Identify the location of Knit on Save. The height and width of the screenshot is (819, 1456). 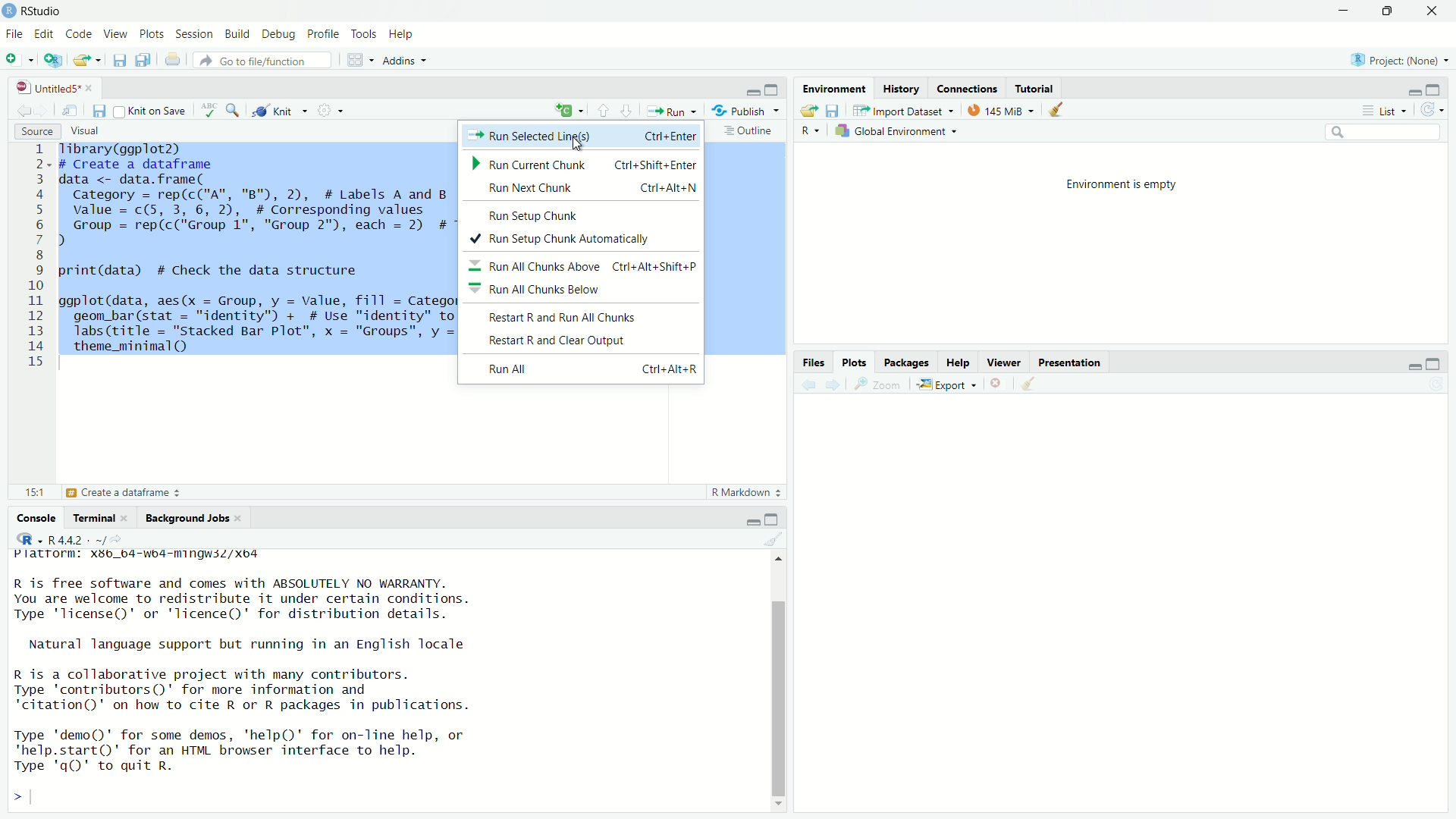
(152, 110).